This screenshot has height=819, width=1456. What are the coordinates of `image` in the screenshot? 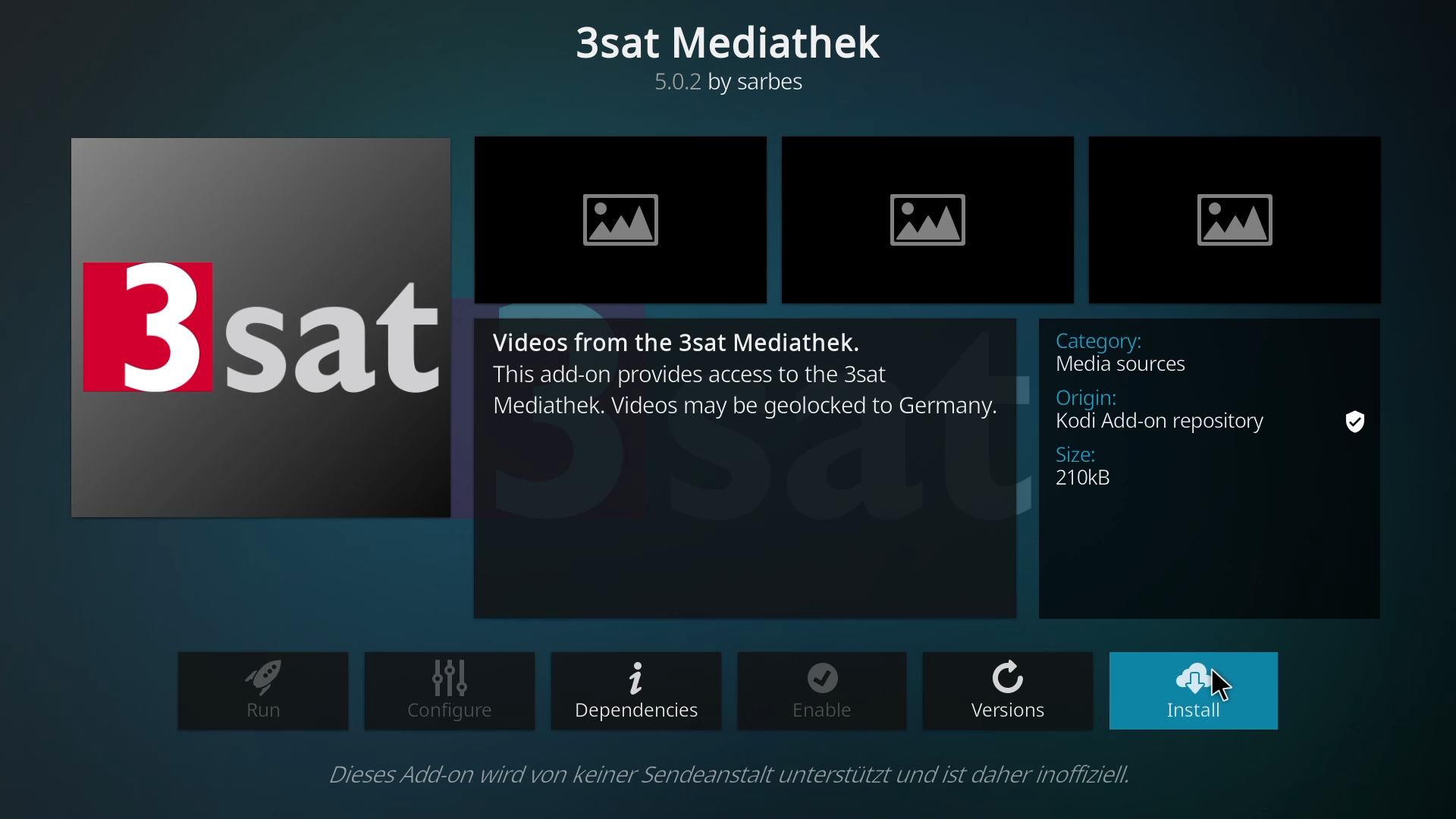 It's located at (639, 228).